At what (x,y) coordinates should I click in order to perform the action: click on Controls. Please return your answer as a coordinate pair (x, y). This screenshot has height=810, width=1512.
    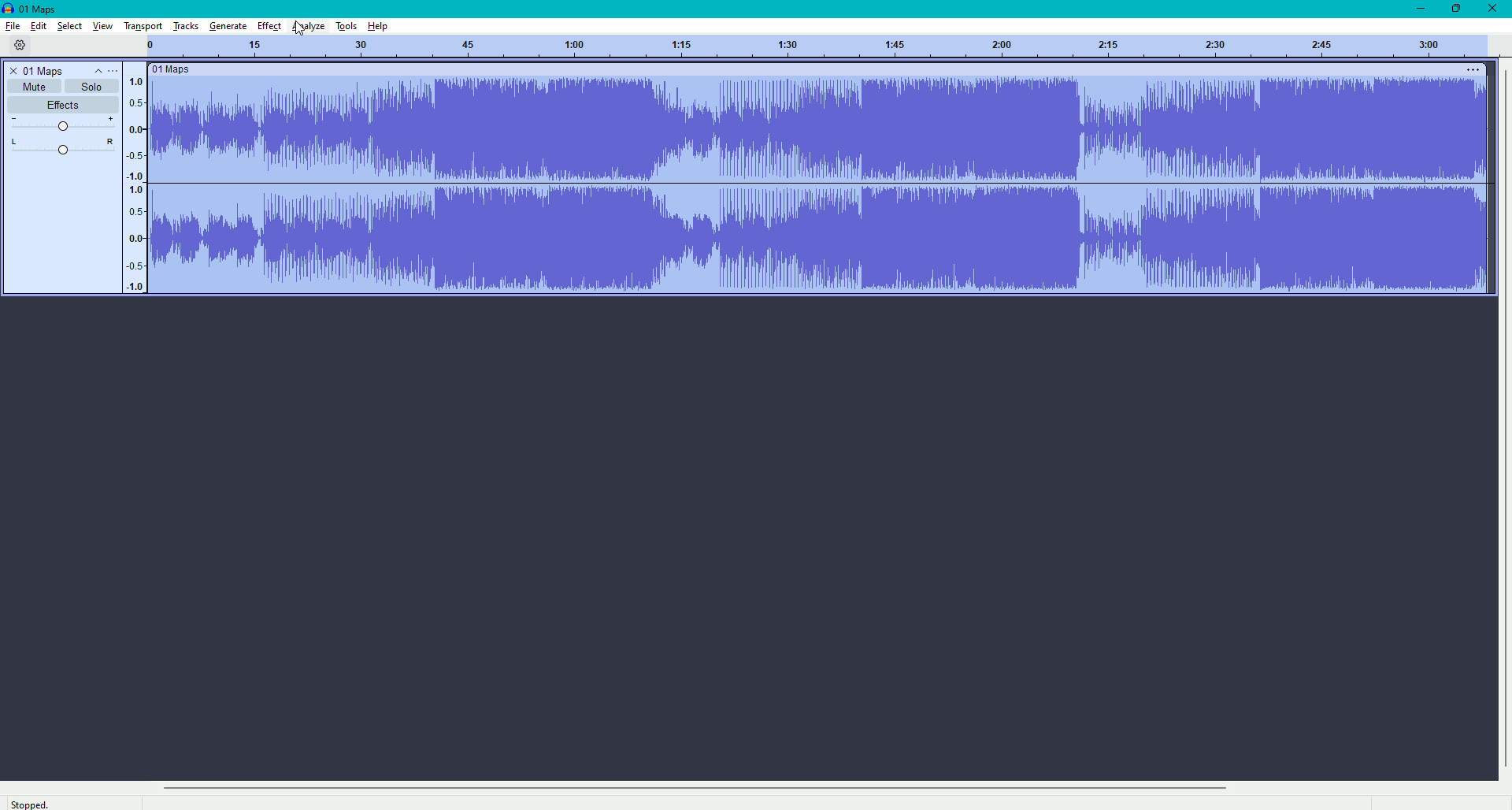
    Looking at the image, I should click on (105, 71).